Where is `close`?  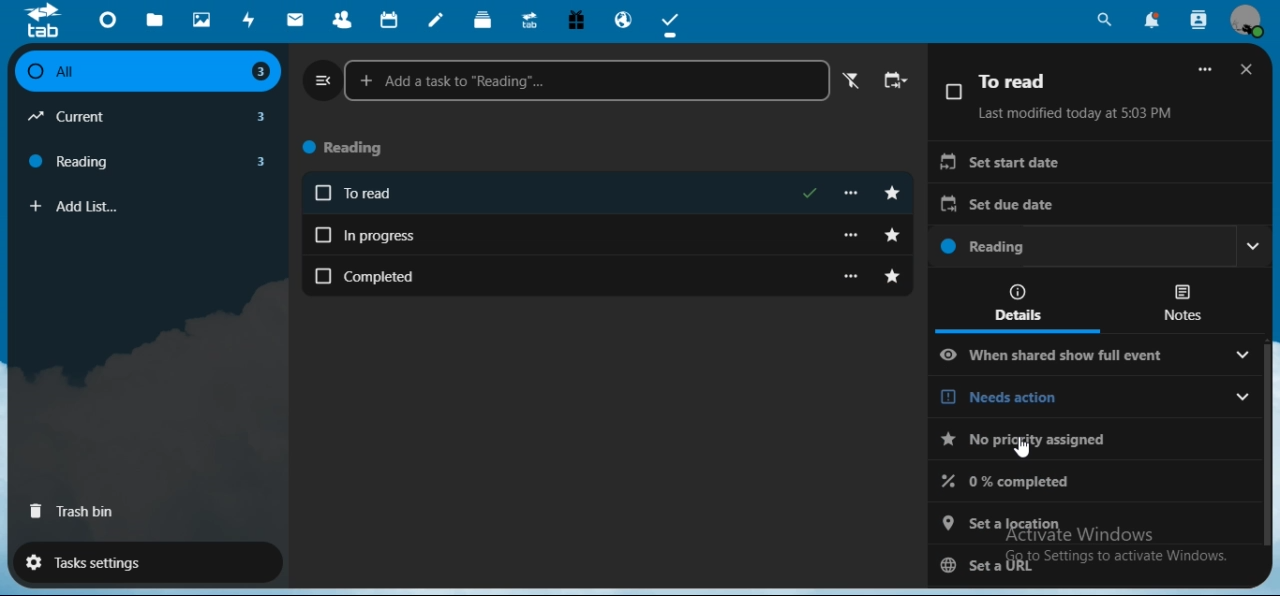
close is located at coordinates (1249, 72).